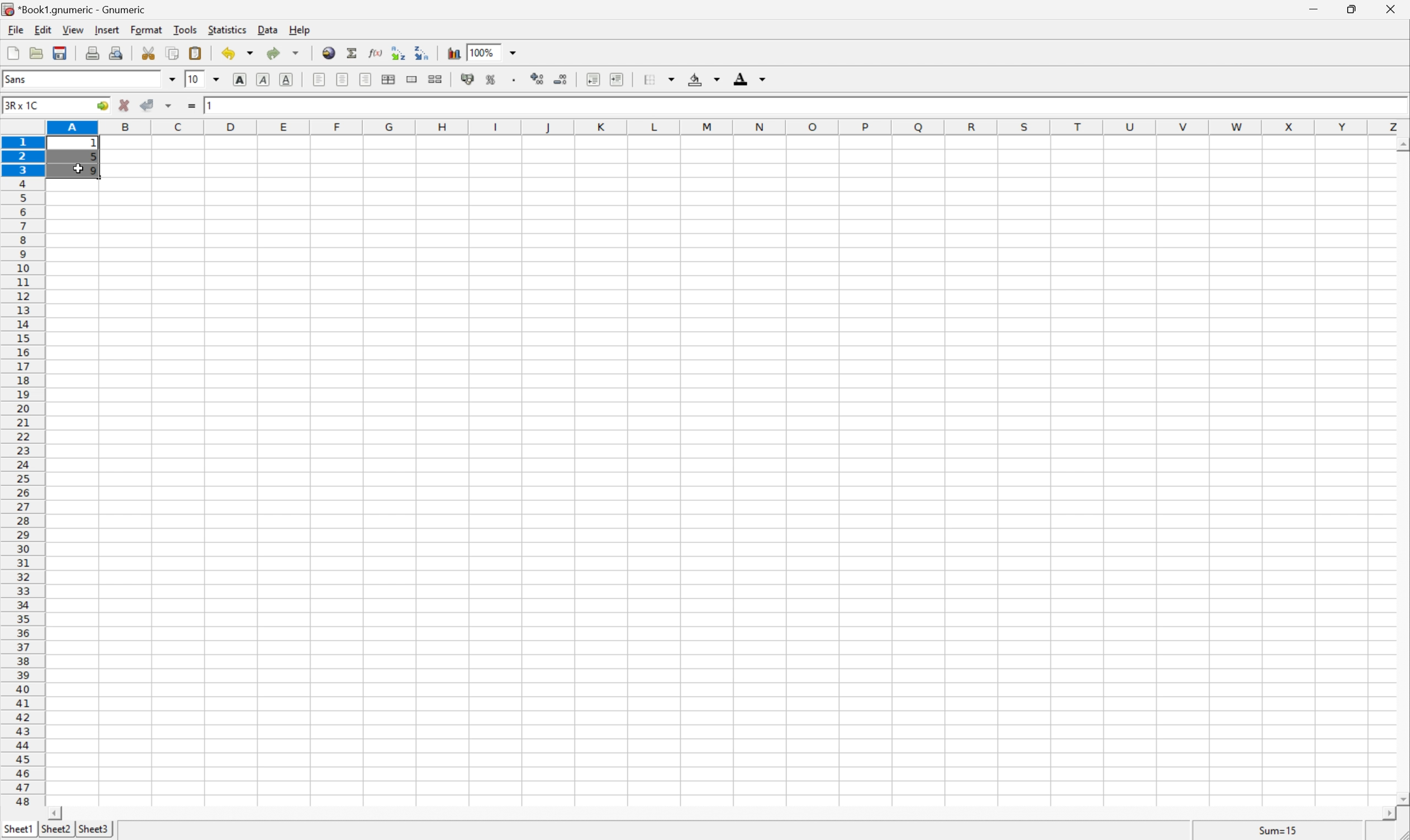  What do you see at coordinates (748, 77) in the screenshot?
I see `foreground` at bounding box center [748, 77].